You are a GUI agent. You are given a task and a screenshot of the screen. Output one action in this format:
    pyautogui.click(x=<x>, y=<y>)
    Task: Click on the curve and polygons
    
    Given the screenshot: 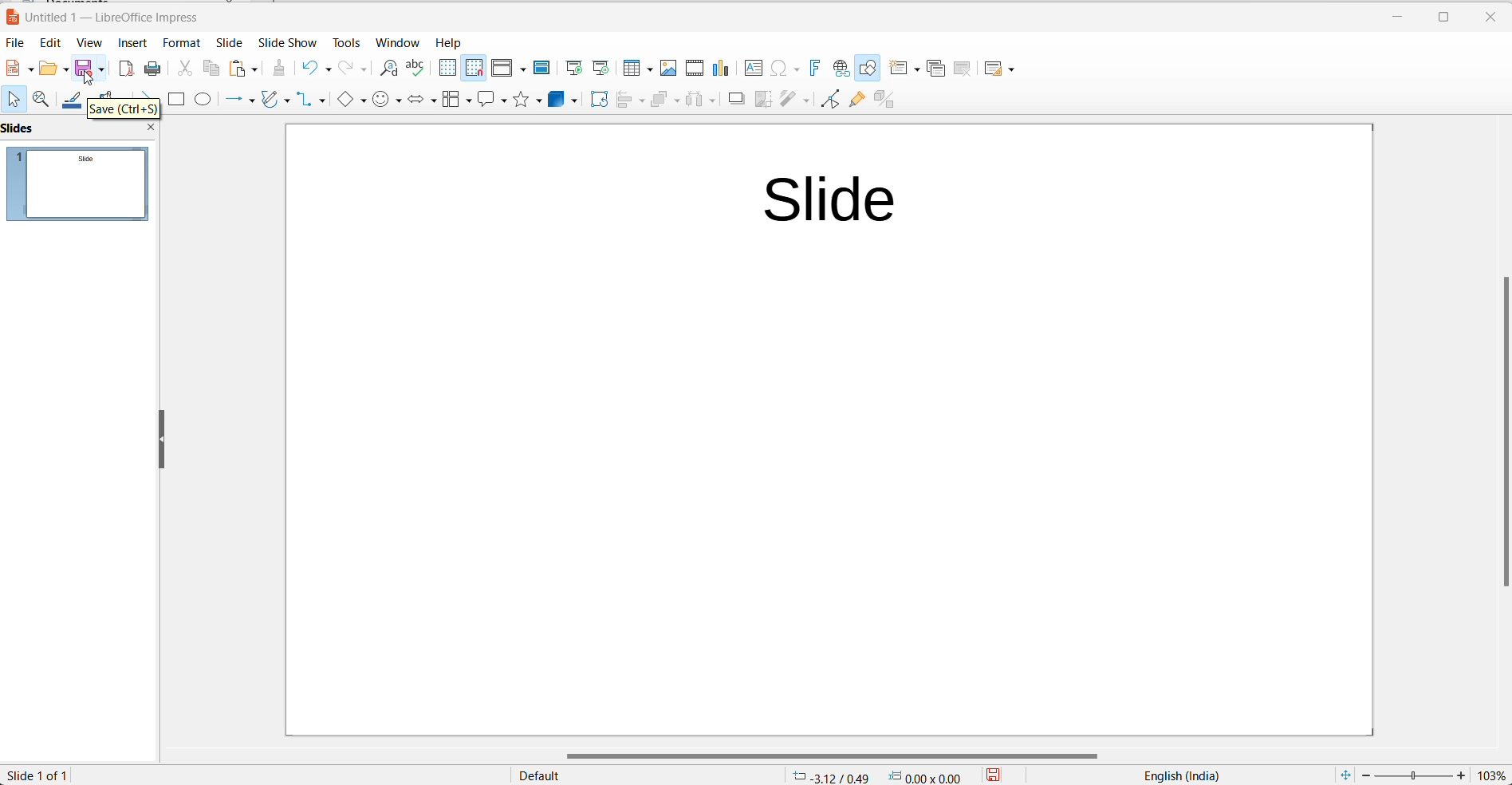 What is the action you would take?
    pyautogui.click(x=277, y=101)
    